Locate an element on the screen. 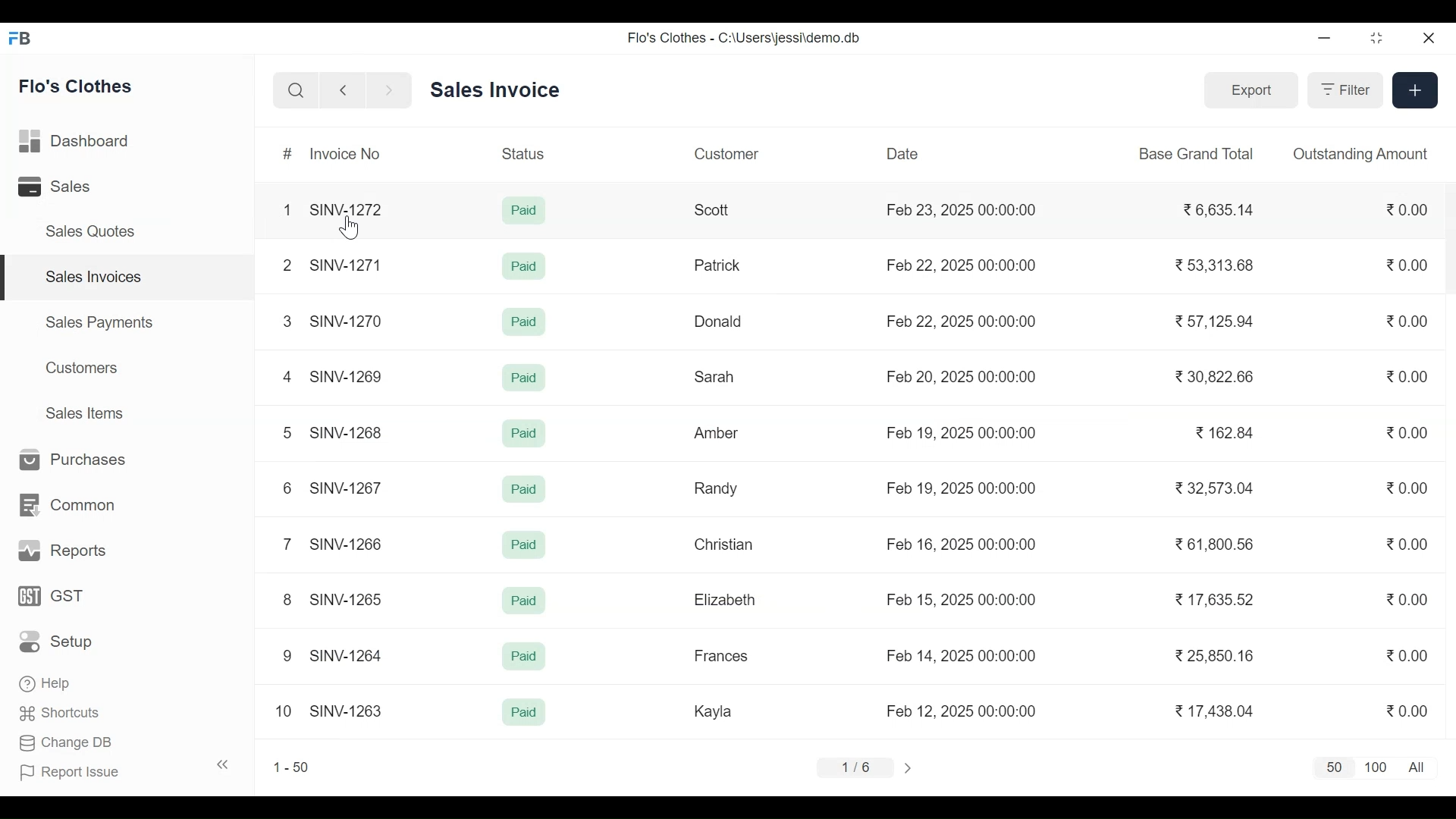 Image resolution: width=1456 pixels, height=819 pixels. 61.800.56 is located at coordinates (1213, 544).